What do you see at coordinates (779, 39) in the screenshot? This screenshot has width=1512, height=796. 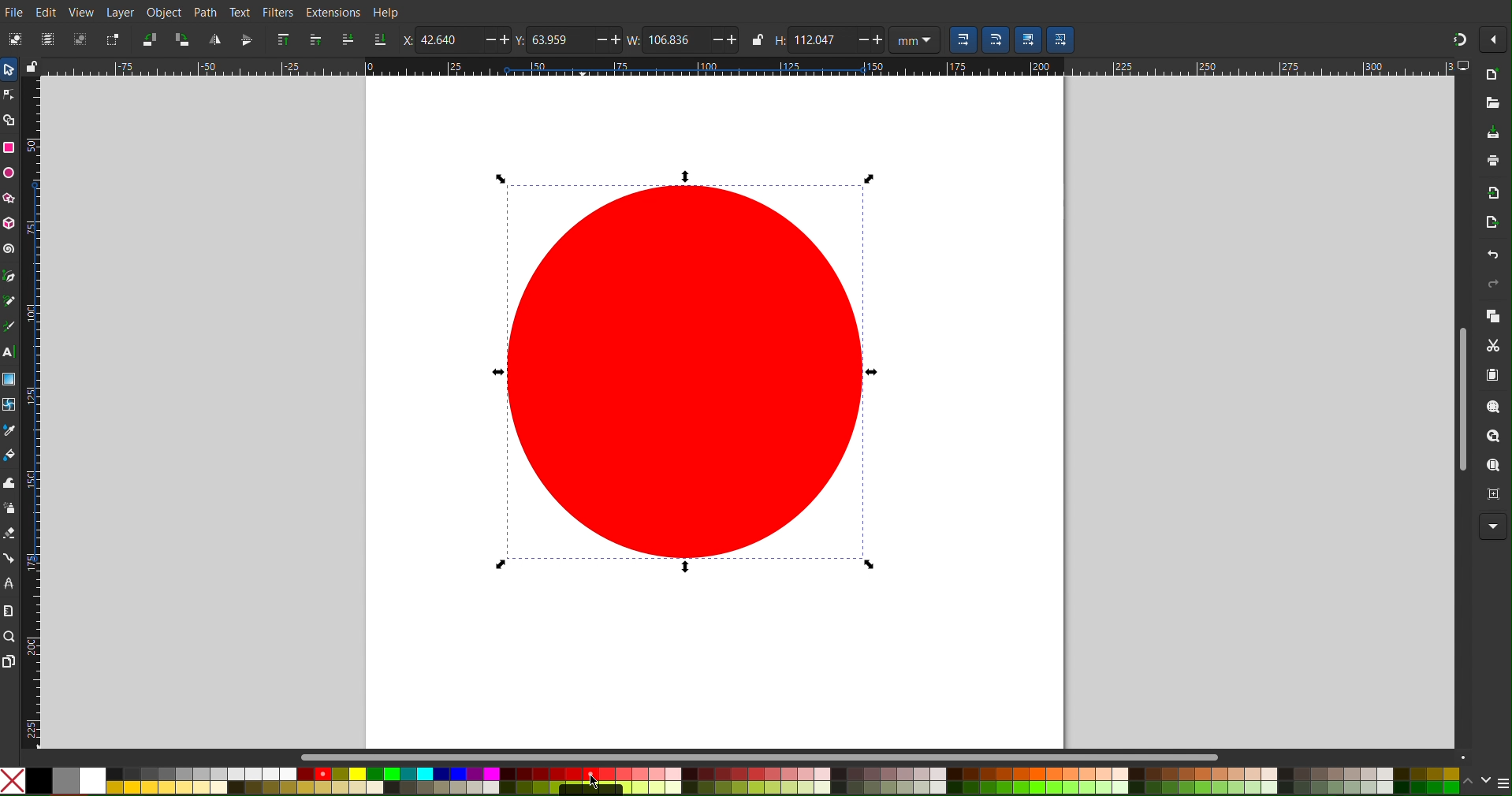 I see `Height` at bounding box center [779, 39].